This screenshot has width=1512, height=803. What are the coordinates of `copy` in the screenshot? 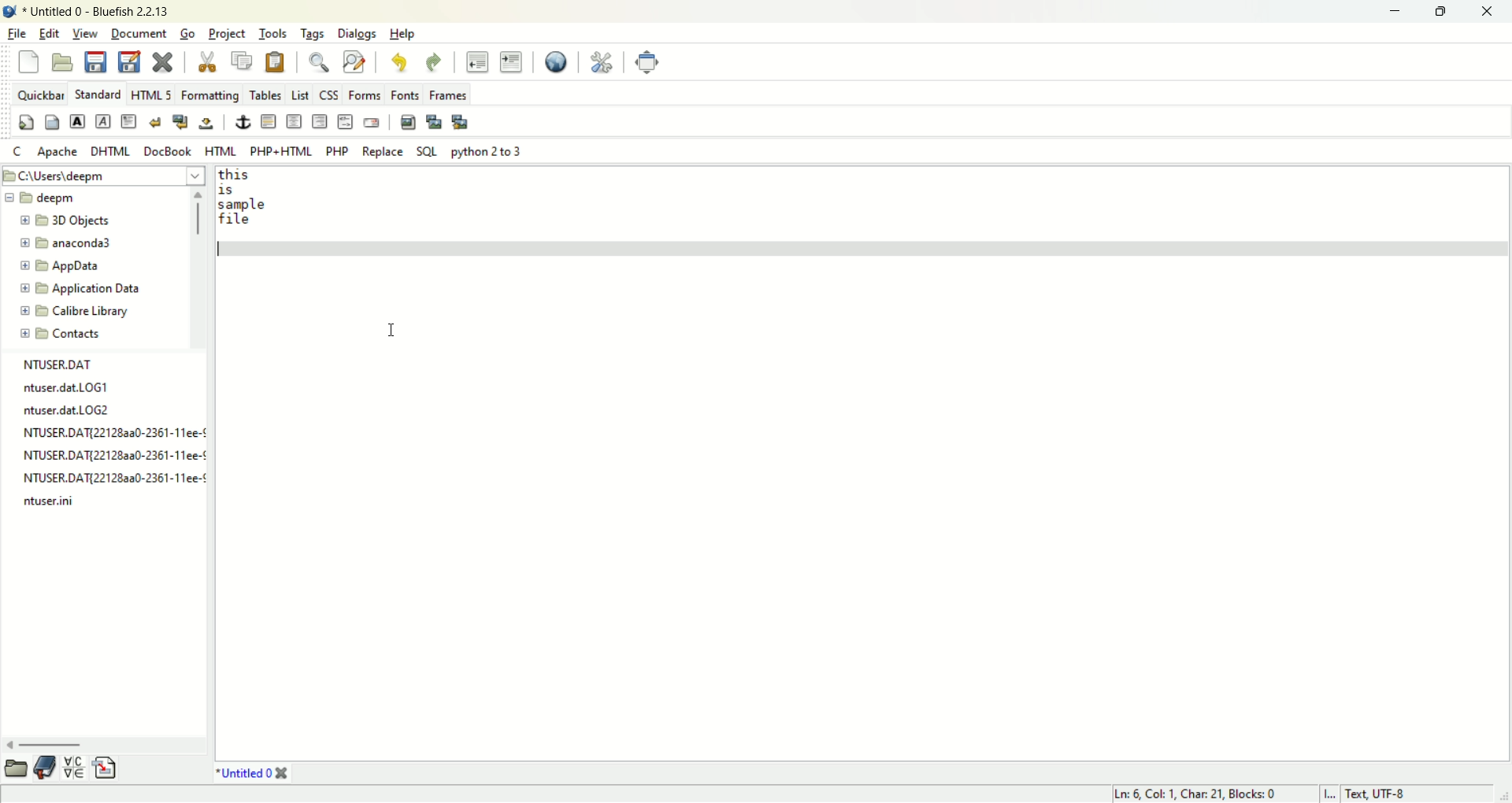 It's located at (245, 59).